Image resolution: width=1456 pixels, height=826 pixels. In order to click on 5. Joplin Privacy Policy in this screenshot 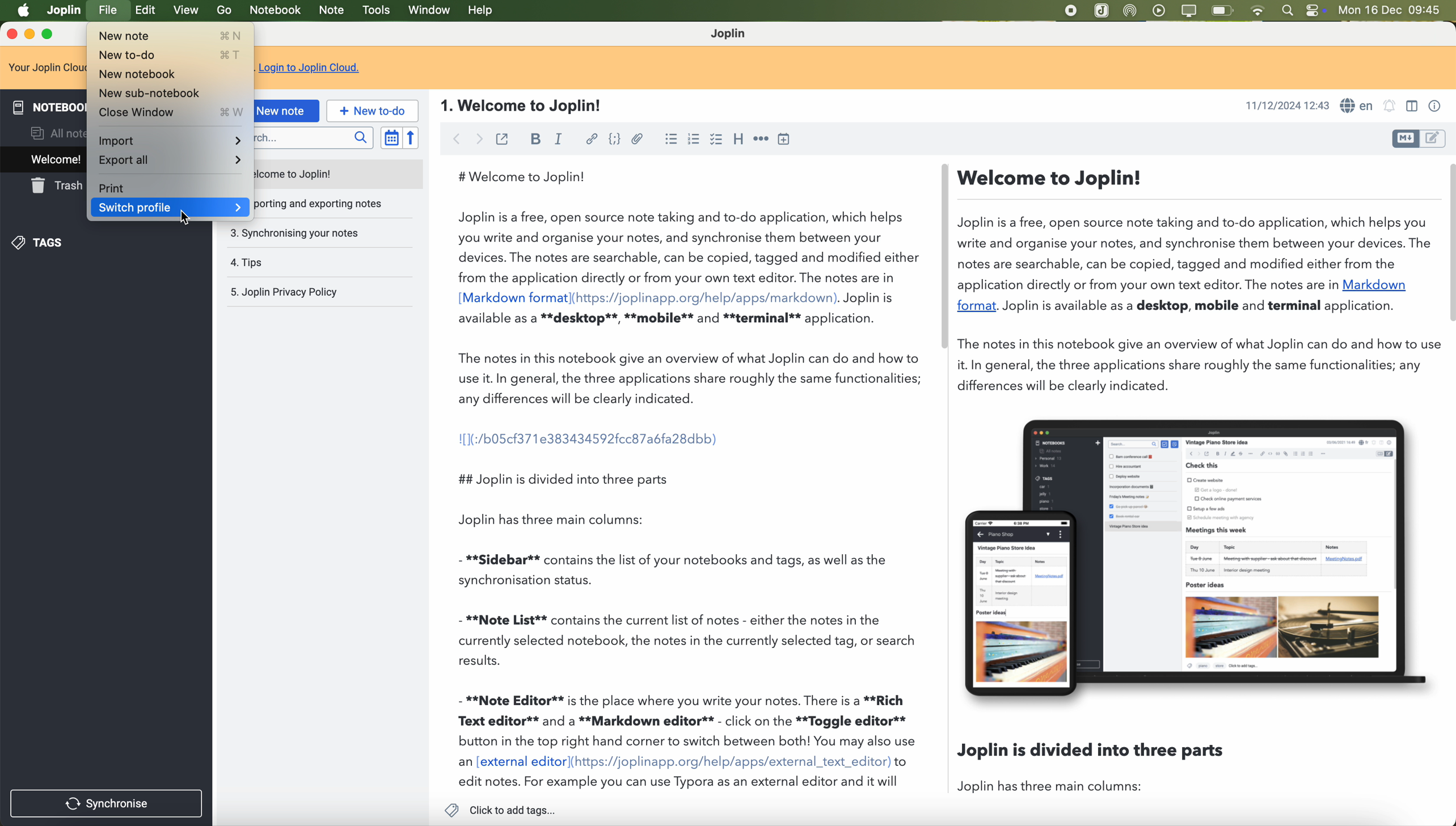, I will do `click(290, 293)`.